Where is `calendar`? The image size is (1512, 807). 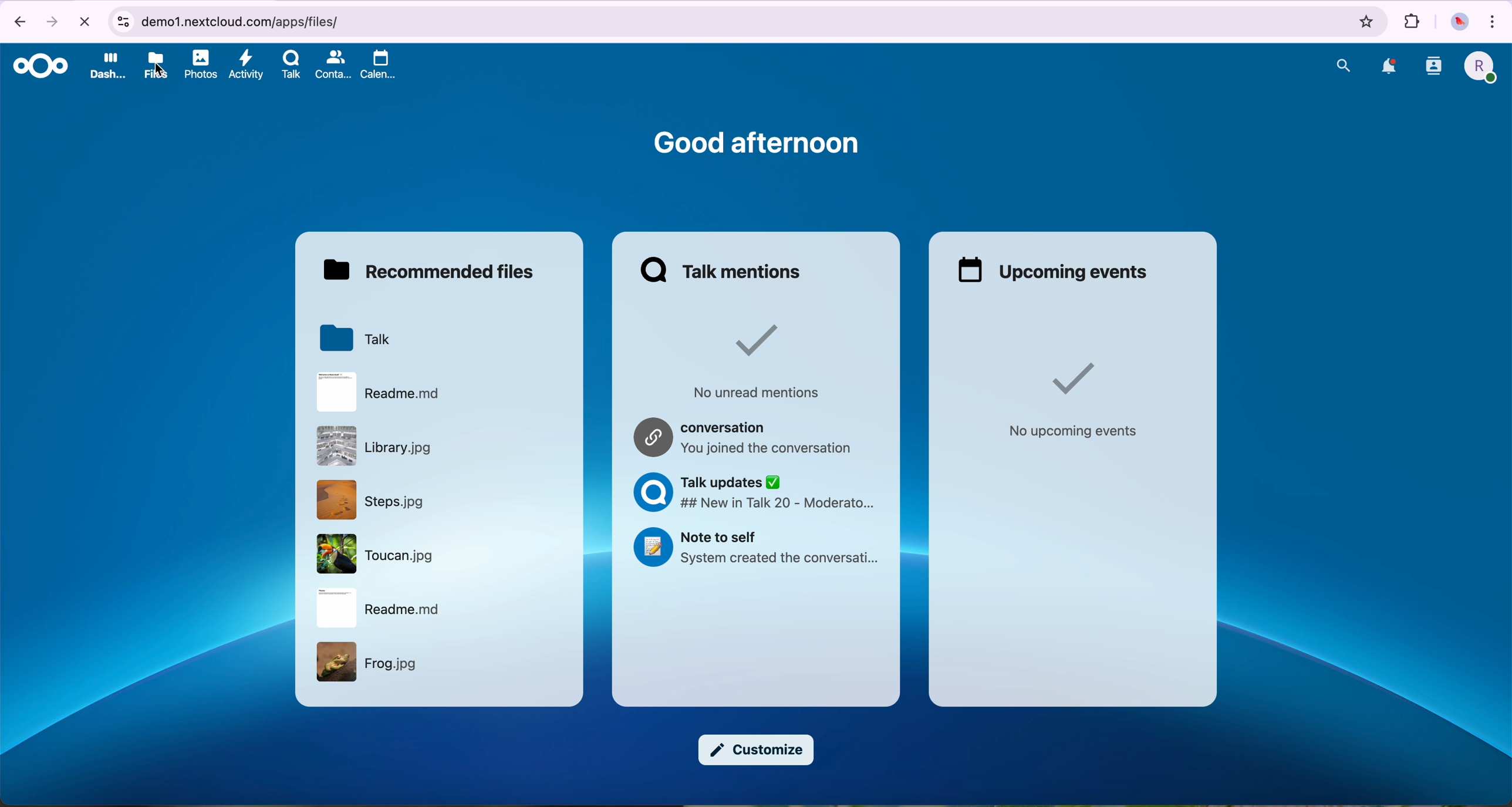
calendar is located at coordinates (378, 67).